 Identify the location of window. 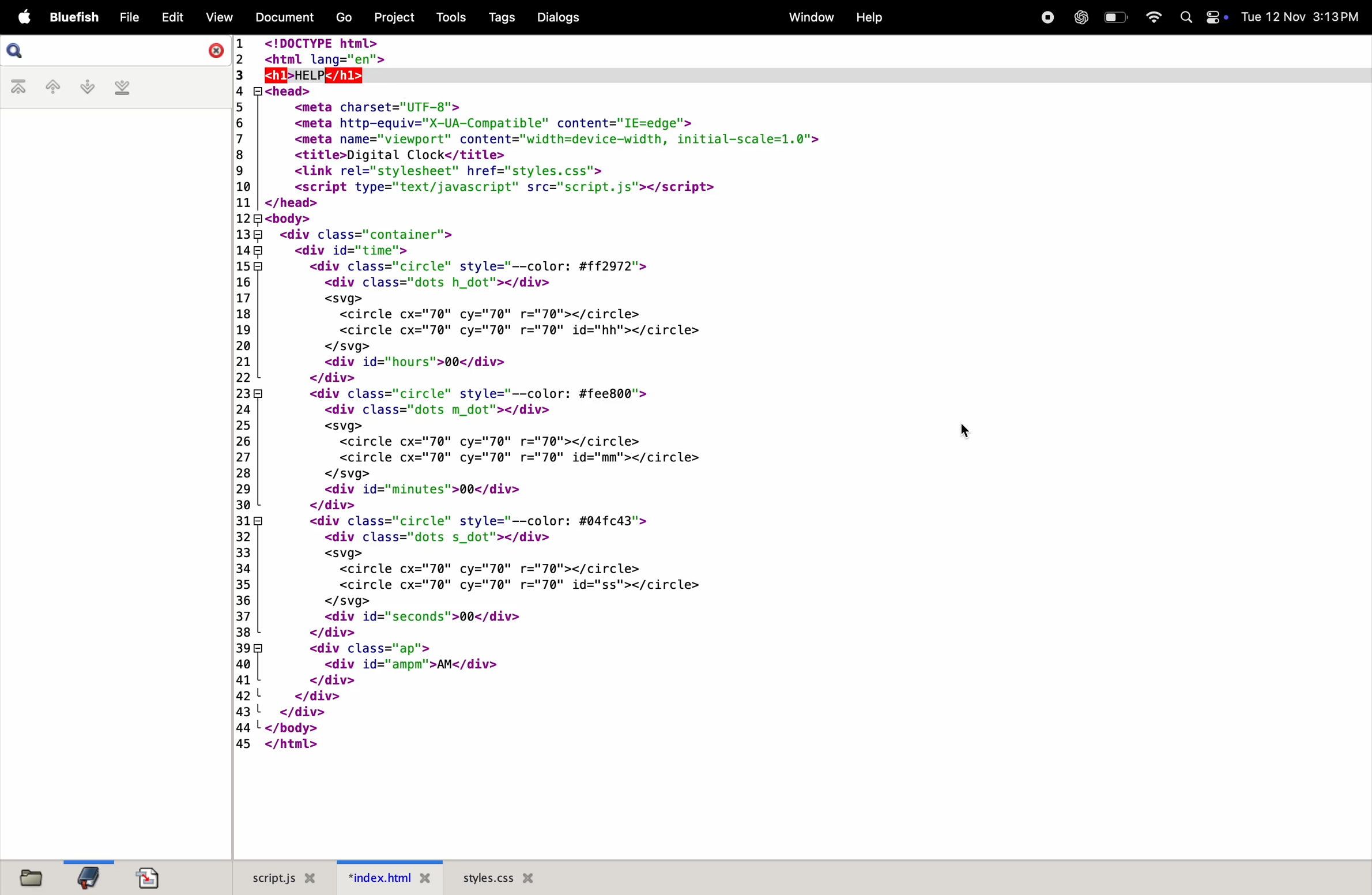
(807, 17).